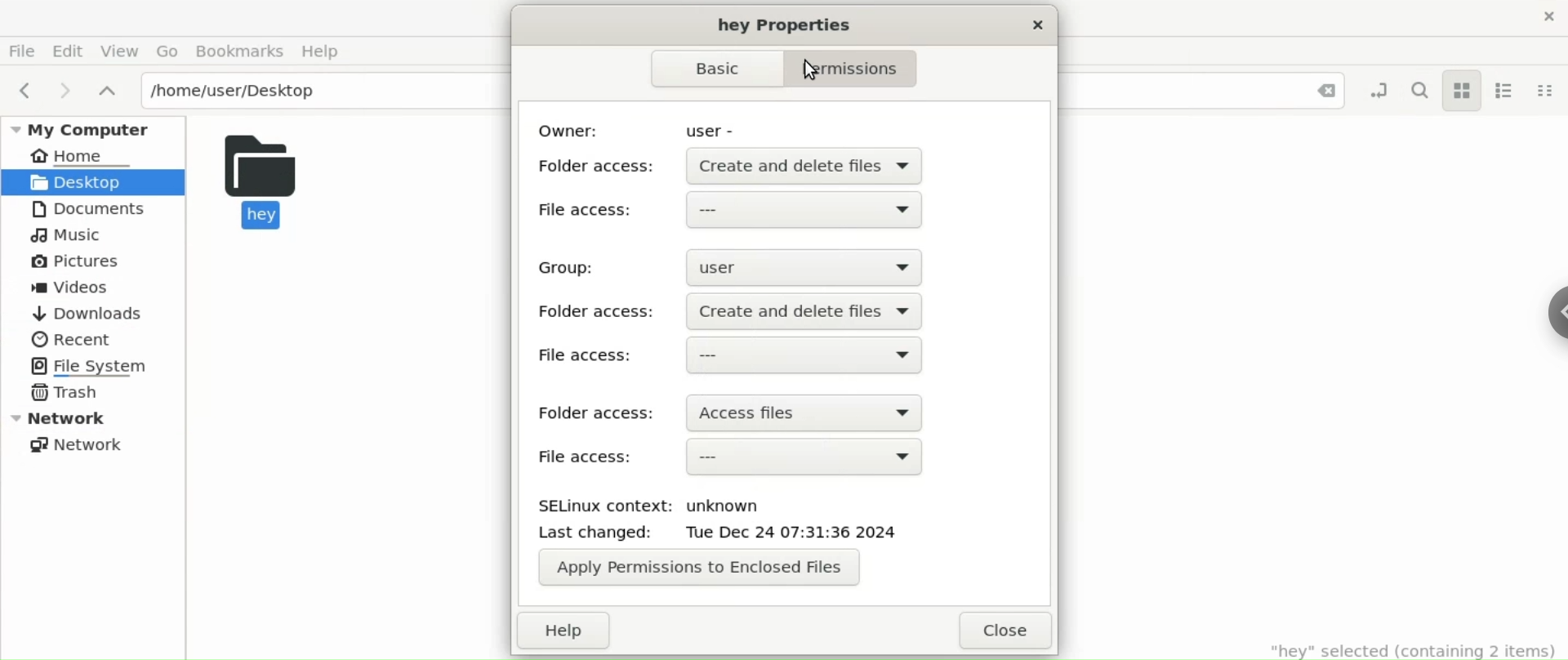 The width and height of the screenshot is (1568, 660). Describe the element at coordinates (241, 51) in the screenshot. I see `Bookmarks` at that location.